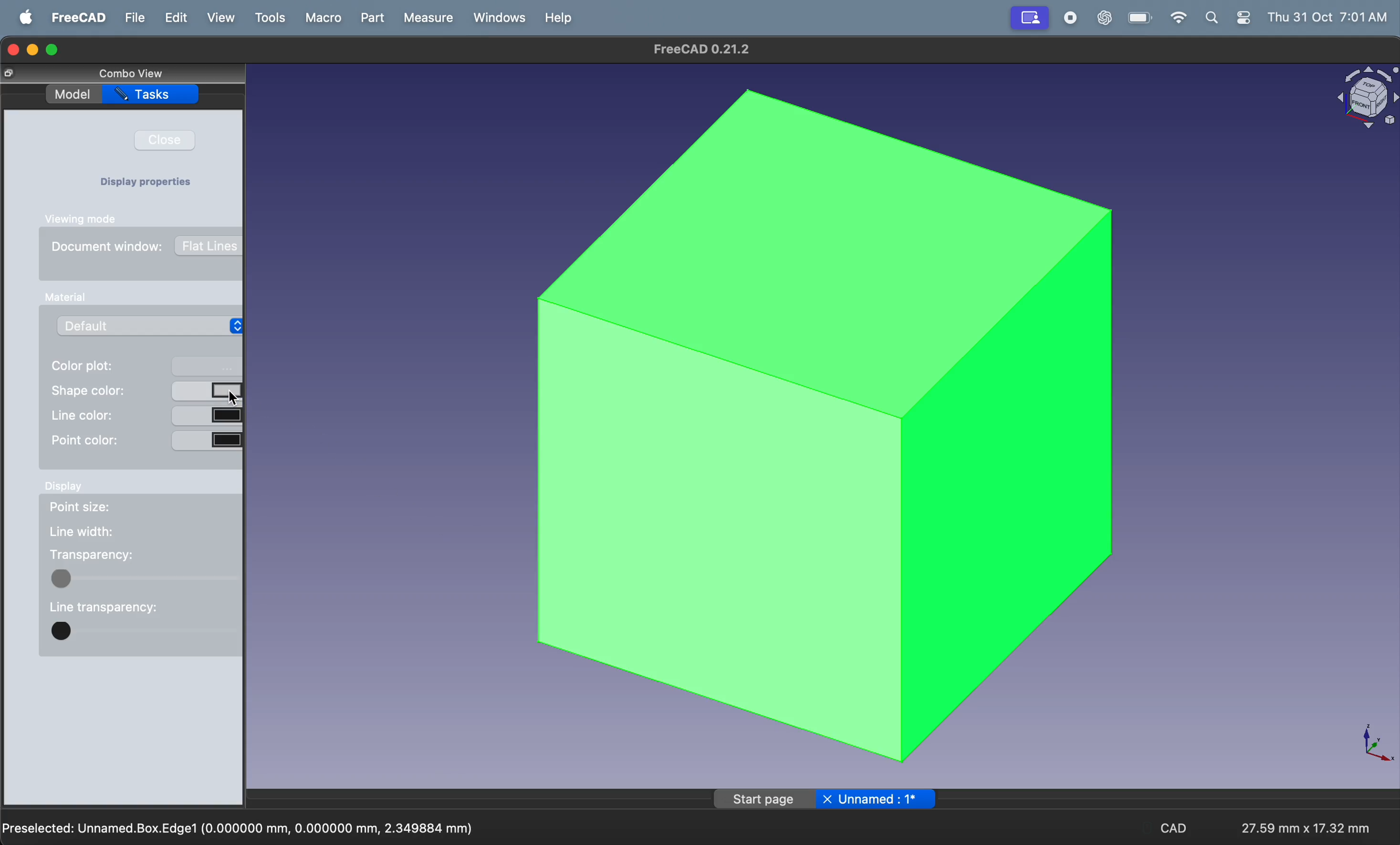 This screenshot has width=1400, height=845. Describe the element at coordinates (1030, 17) in the screenshot. I see `mirror` at that location.